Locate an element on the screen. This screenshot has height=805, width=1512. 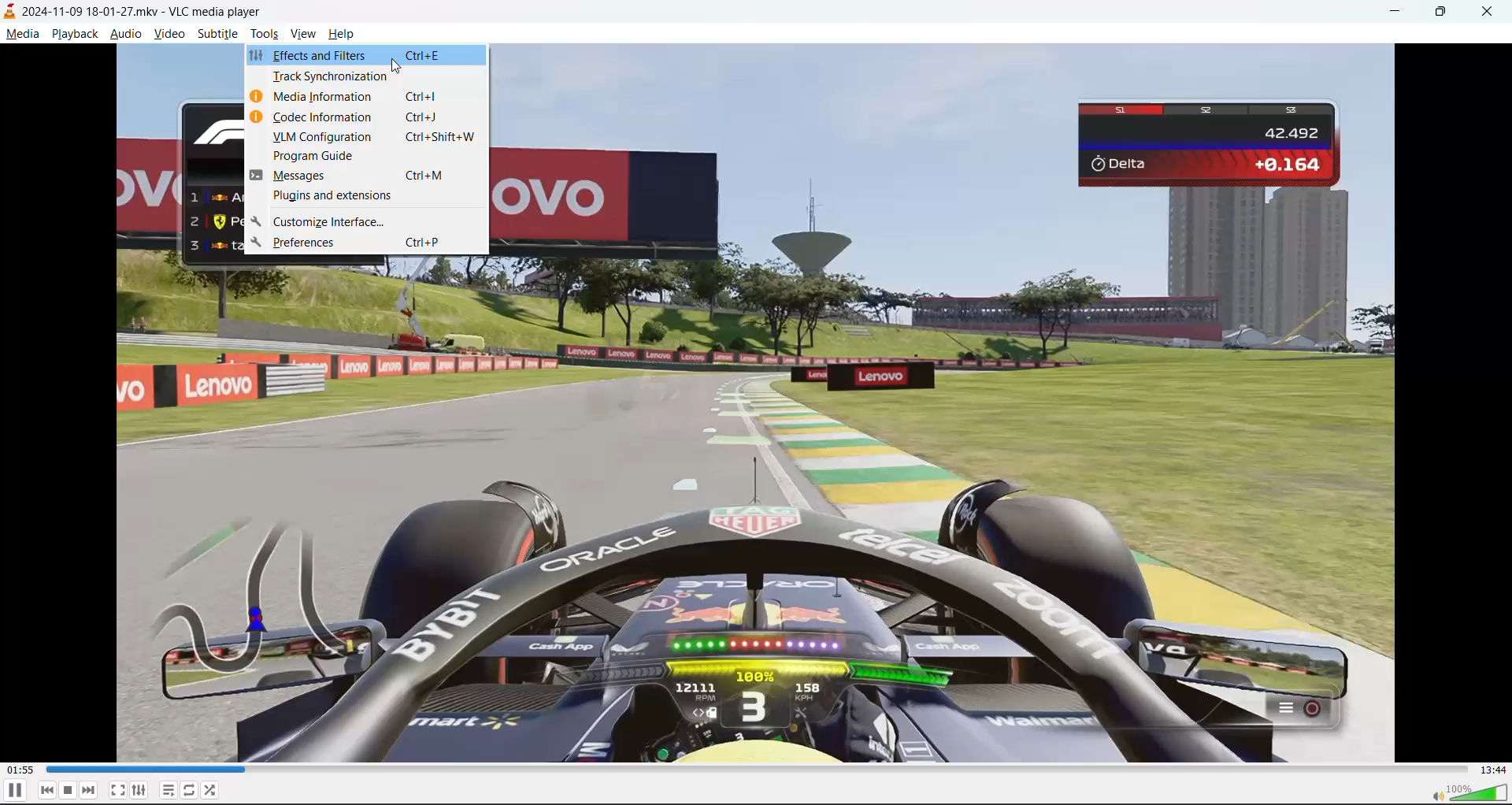
playlist is located at coordinates (169, 790).